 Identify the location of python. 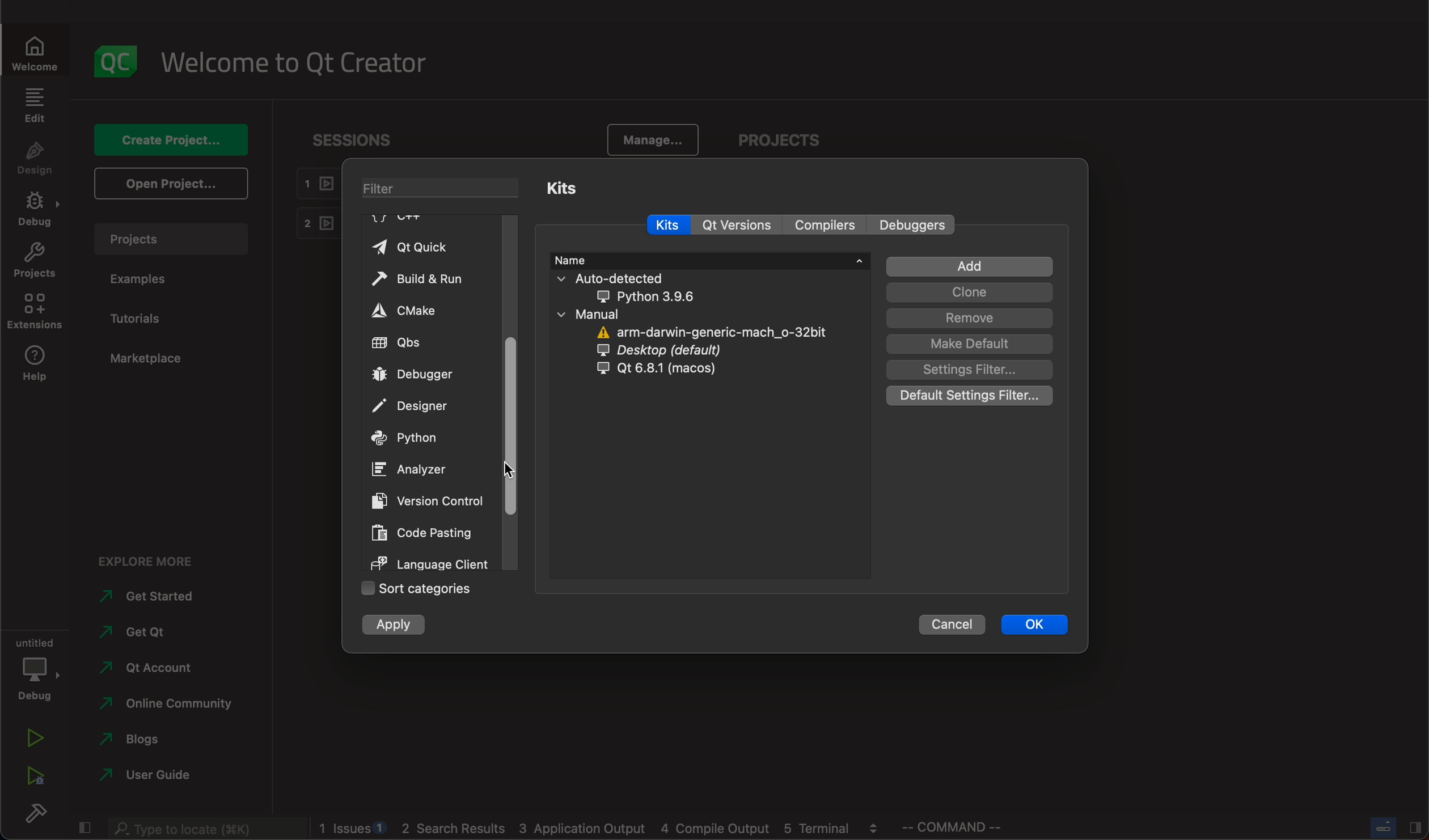
(411, 438).